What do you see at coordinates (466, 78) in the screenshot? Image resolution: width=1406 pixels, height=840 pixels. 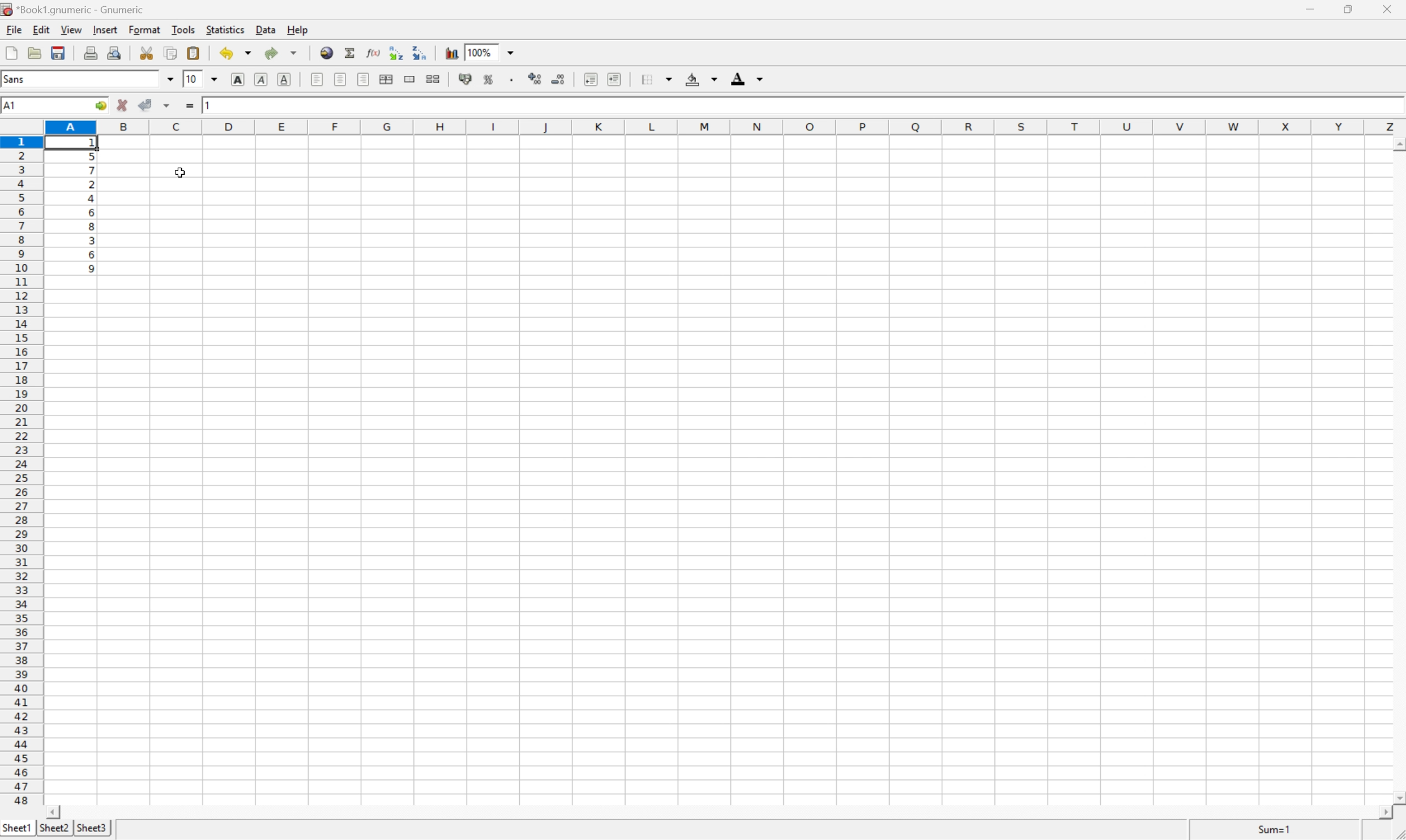 I see `format selection as accounting` at bounding box center [466, 78].